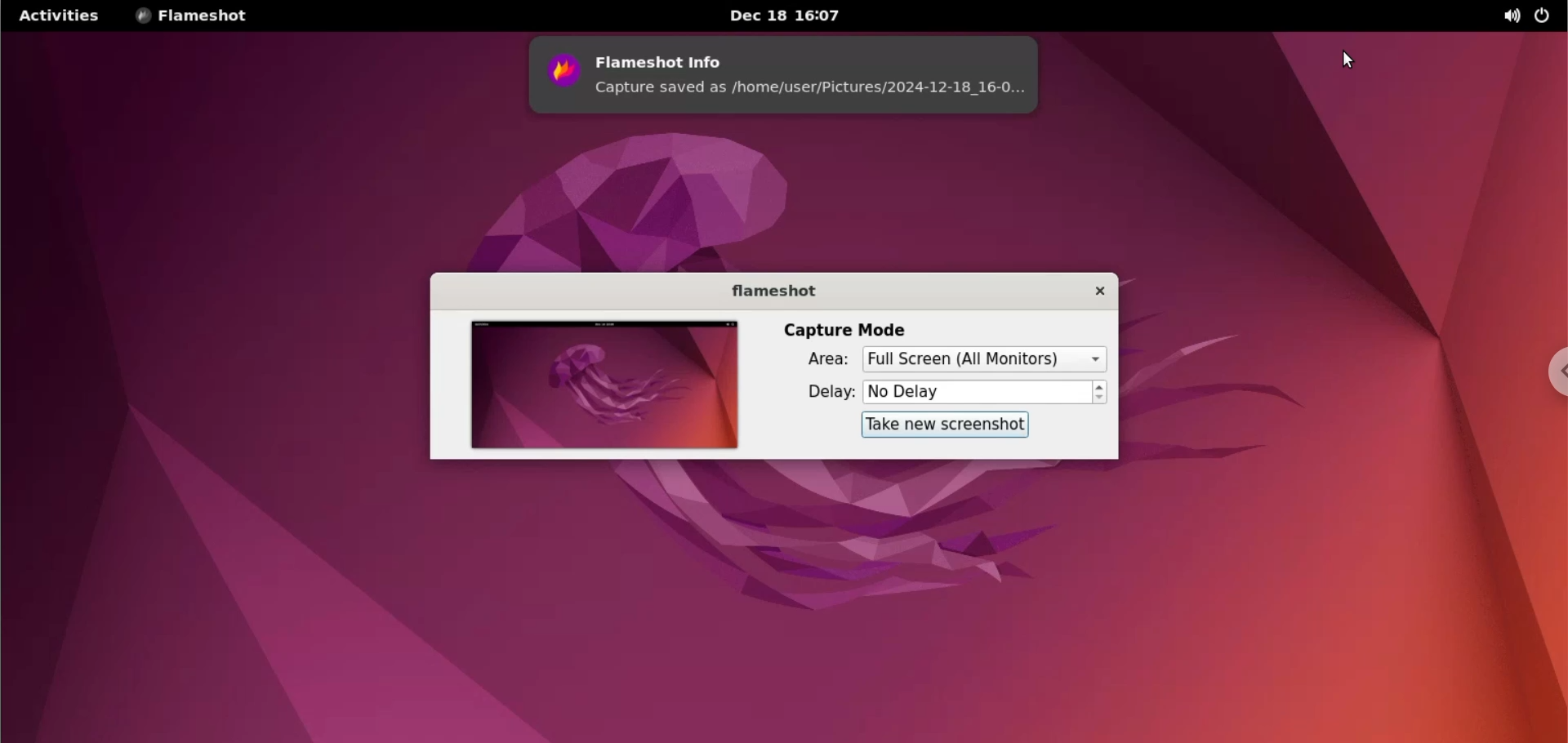 The height and width of the screenshot is (743, 1568). I want to click on Activities, so click(56, 16).